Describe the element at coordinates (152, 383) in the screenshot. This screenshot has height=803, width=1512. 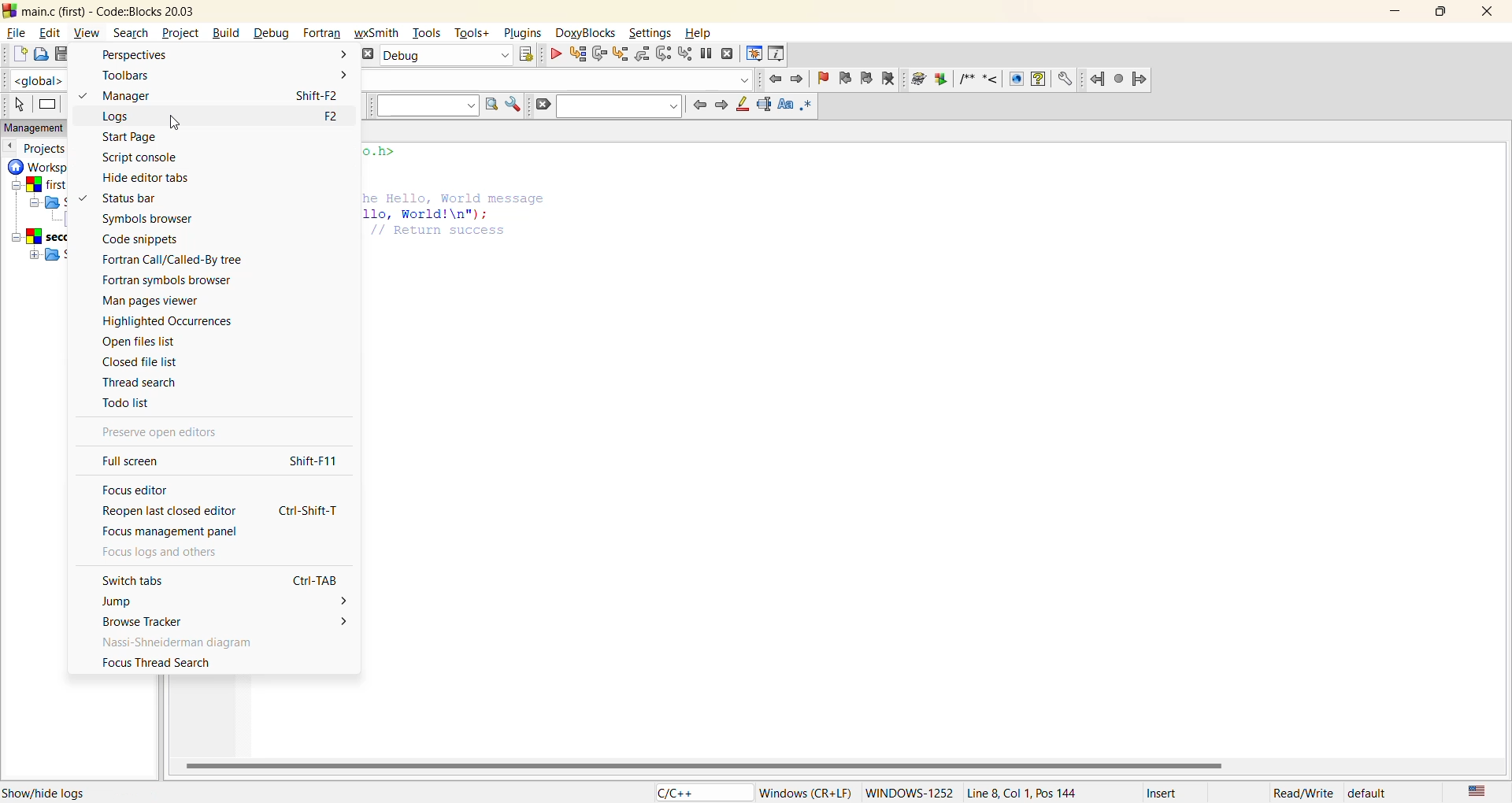
I see `thread search` at that location.